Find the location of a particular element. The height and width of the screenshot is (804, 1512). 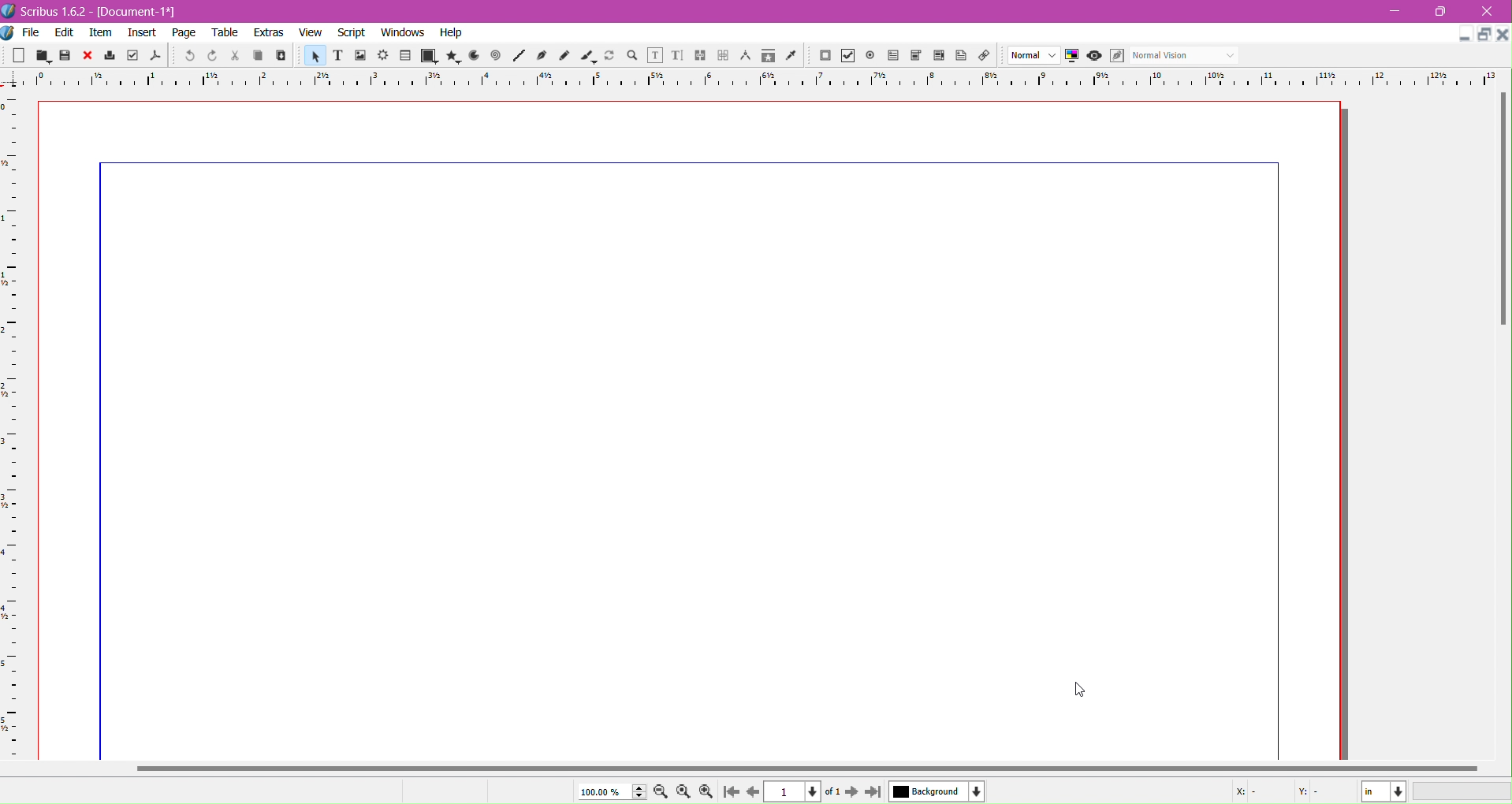

save is located at coordinates (65, 57).